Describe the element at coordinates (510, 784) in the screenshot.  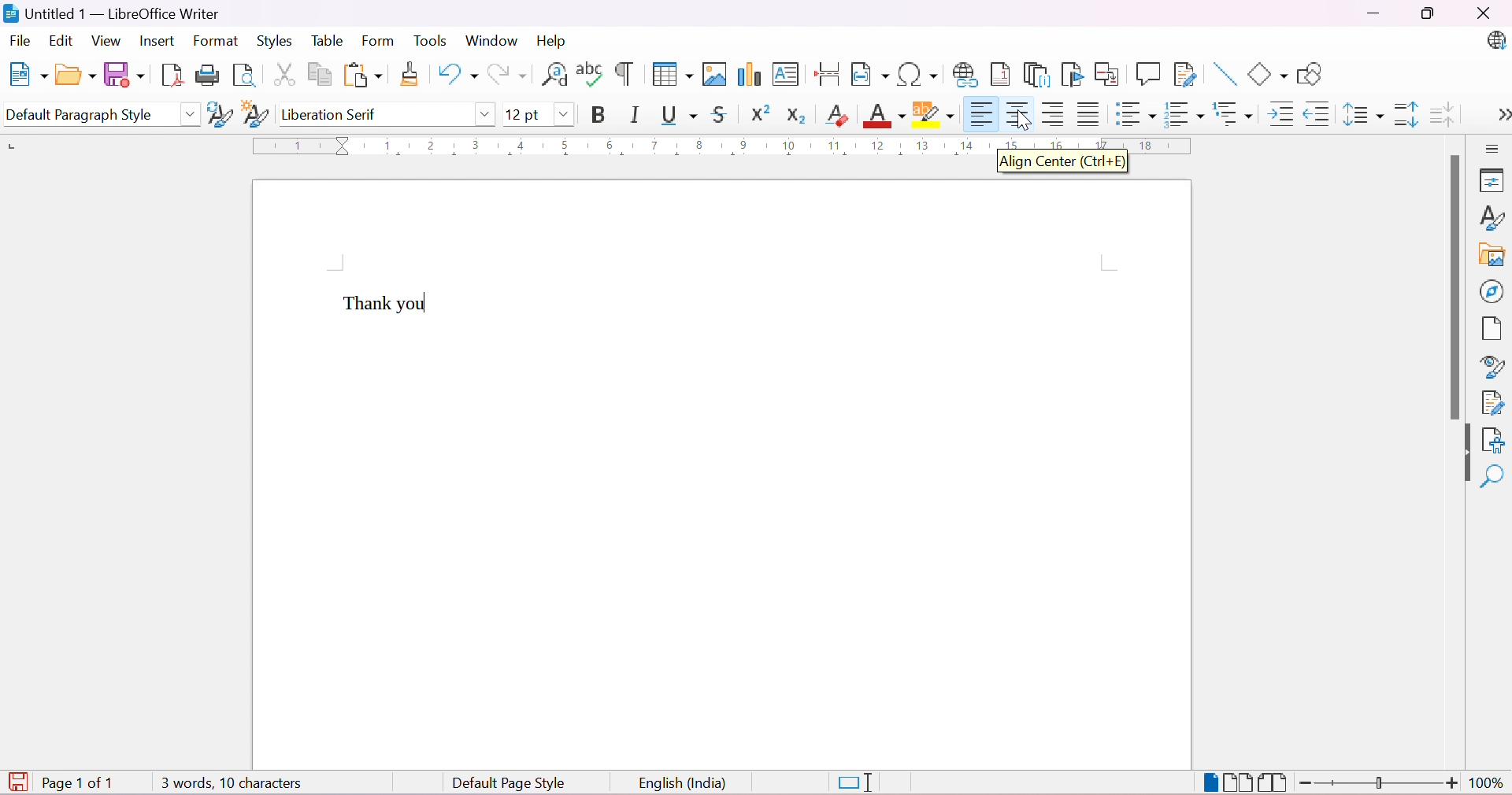
I see `Default Page Style` at that location.